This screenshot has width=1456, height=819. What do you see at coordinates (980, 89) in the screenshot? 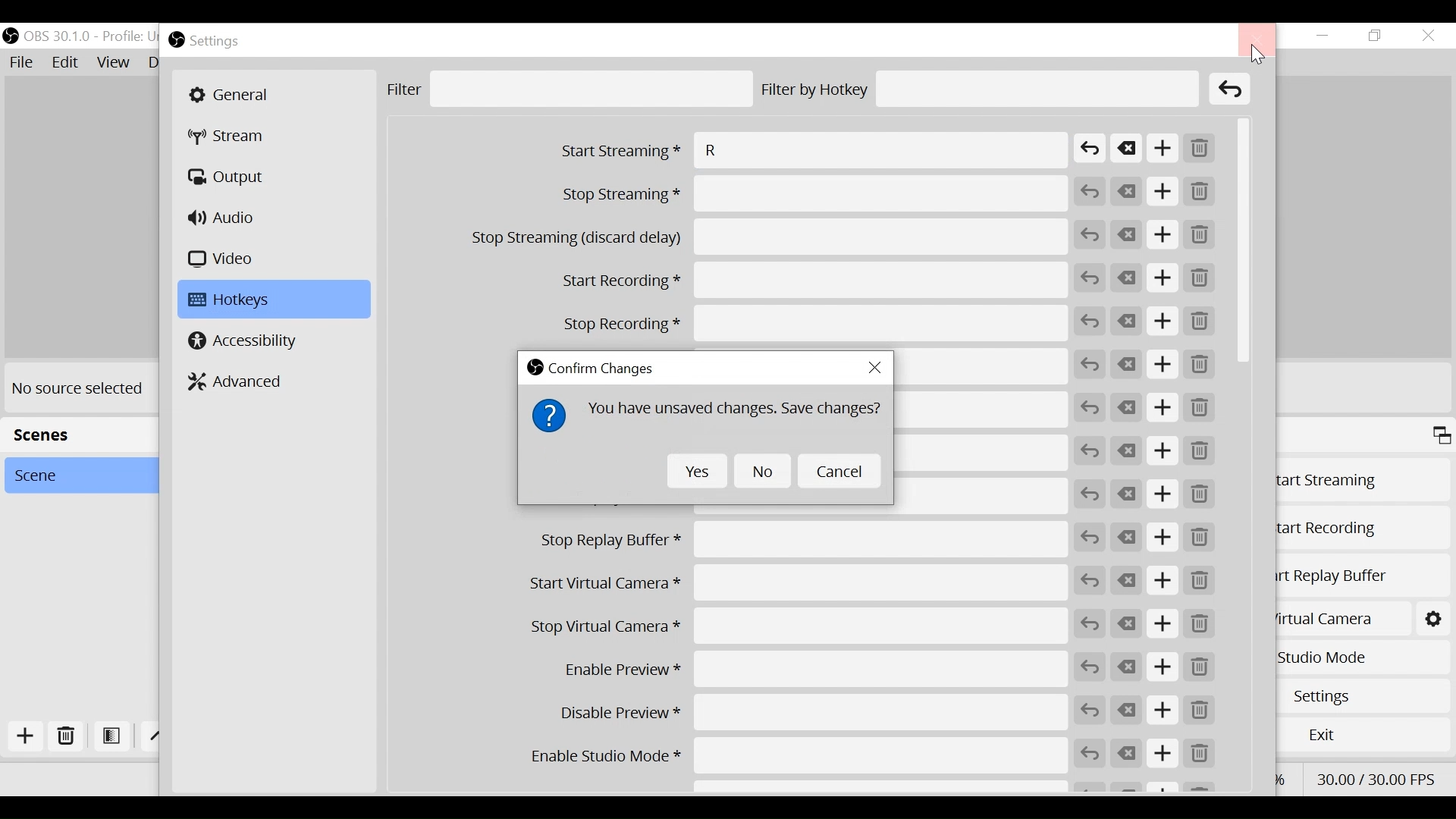
I see `Filter by Hotkey` at bounding box center [980, 89].